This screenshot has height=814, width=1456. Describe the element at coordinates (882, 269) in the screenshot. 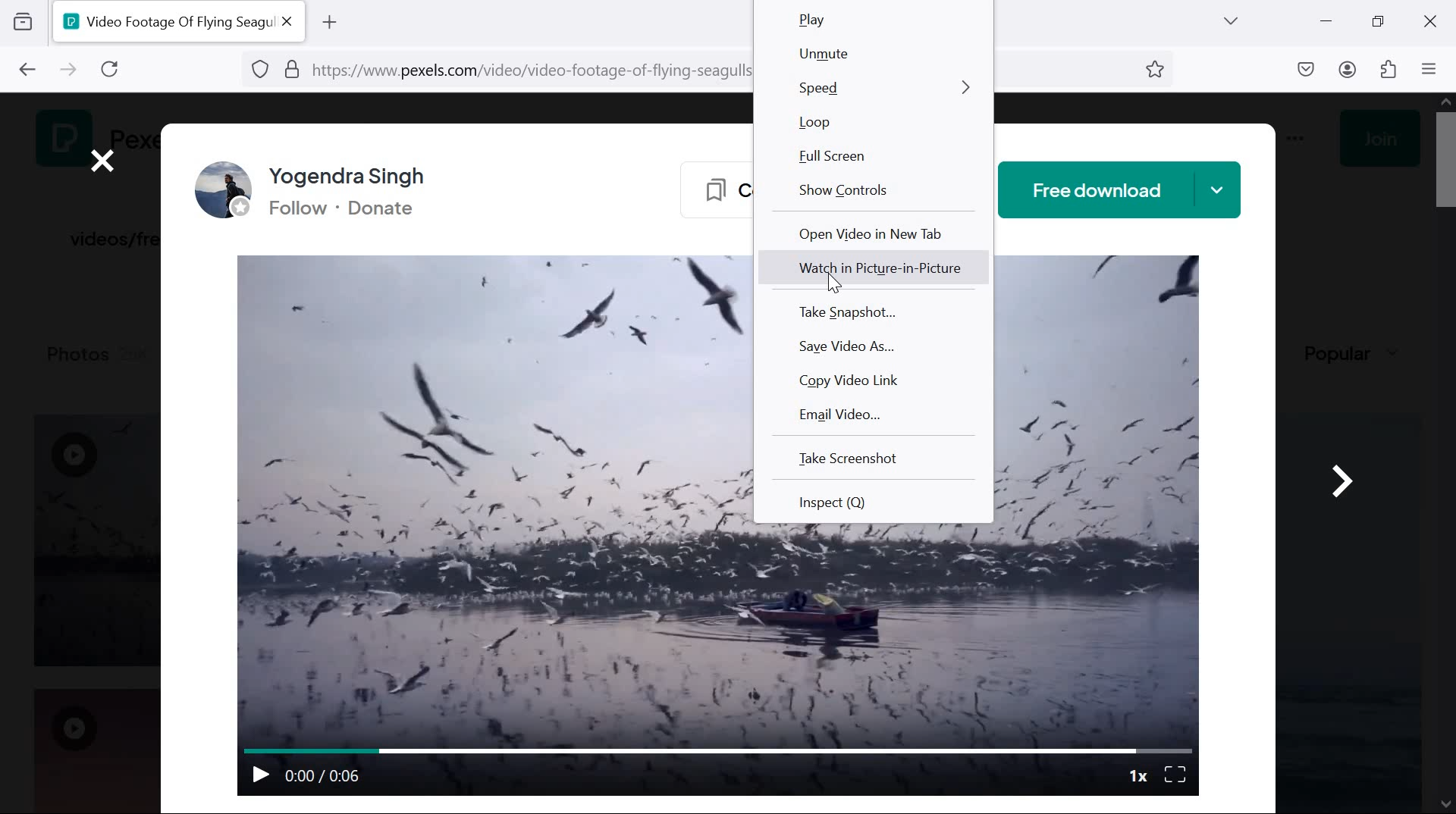

I see `Watch in Picture-in-Picture mode` at that location.